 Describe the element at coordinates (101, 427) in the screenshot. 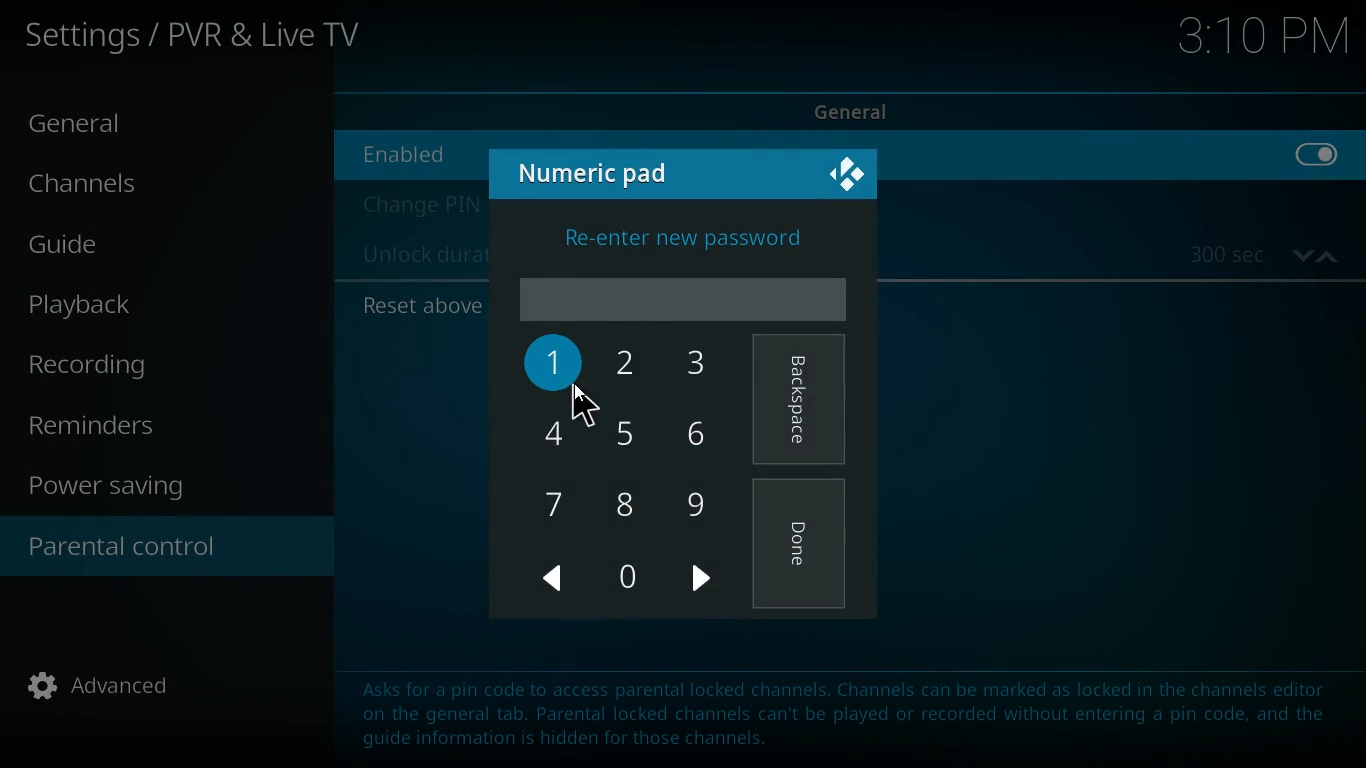

I see `reminders` at that location.